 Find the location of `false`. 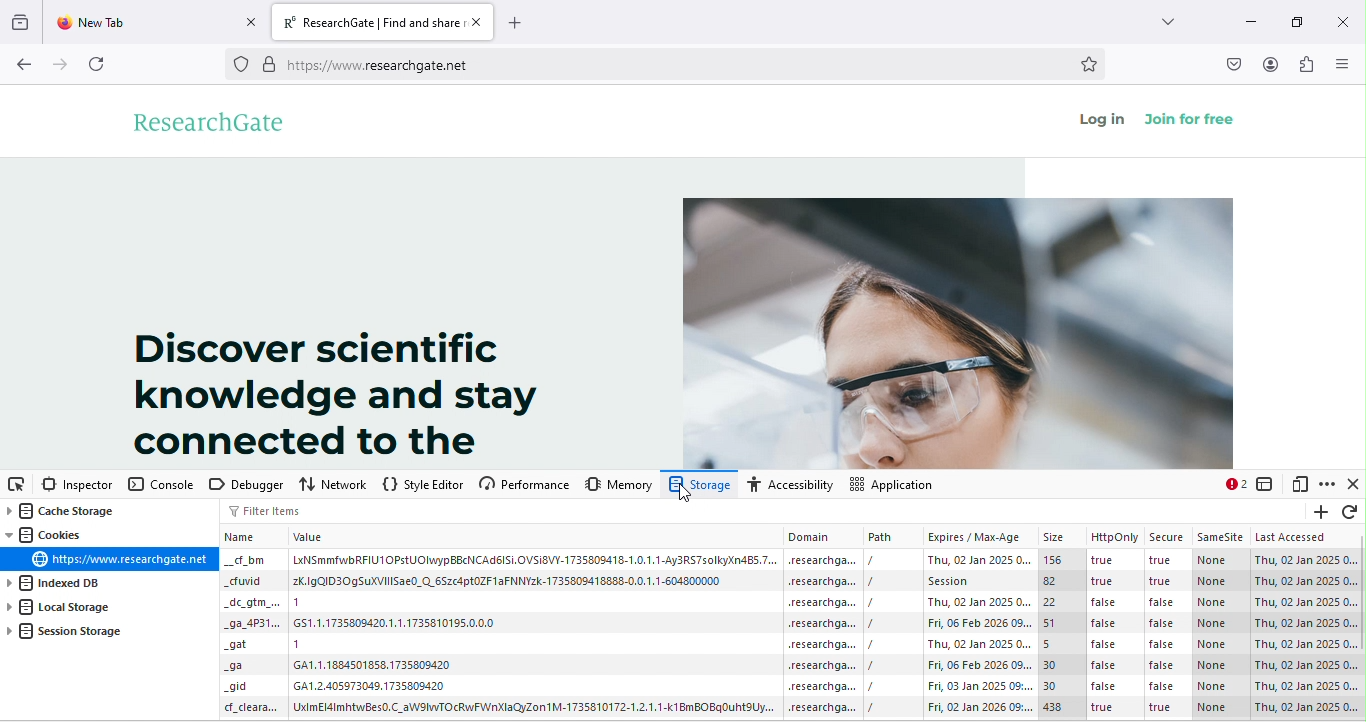

false is located at coordinates (1105, 645).